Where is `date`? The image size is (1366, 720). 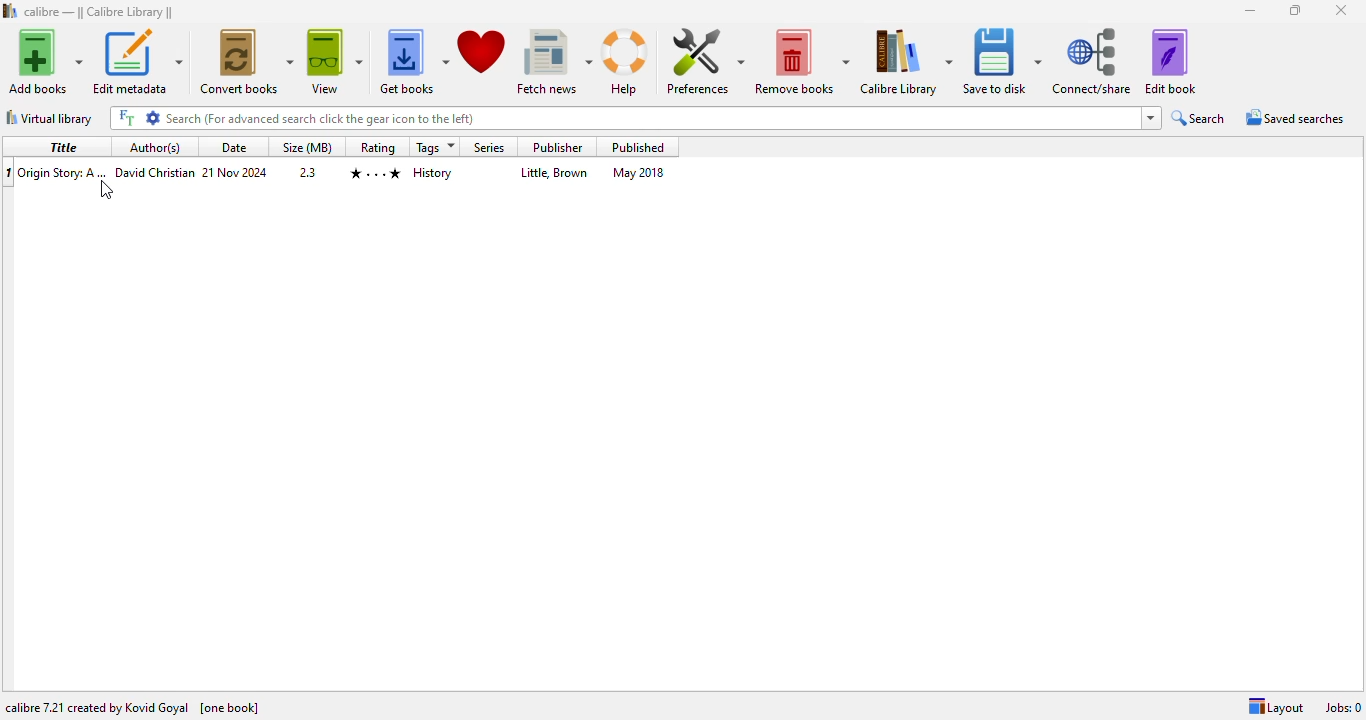
date is located at coordinates (233, 146).